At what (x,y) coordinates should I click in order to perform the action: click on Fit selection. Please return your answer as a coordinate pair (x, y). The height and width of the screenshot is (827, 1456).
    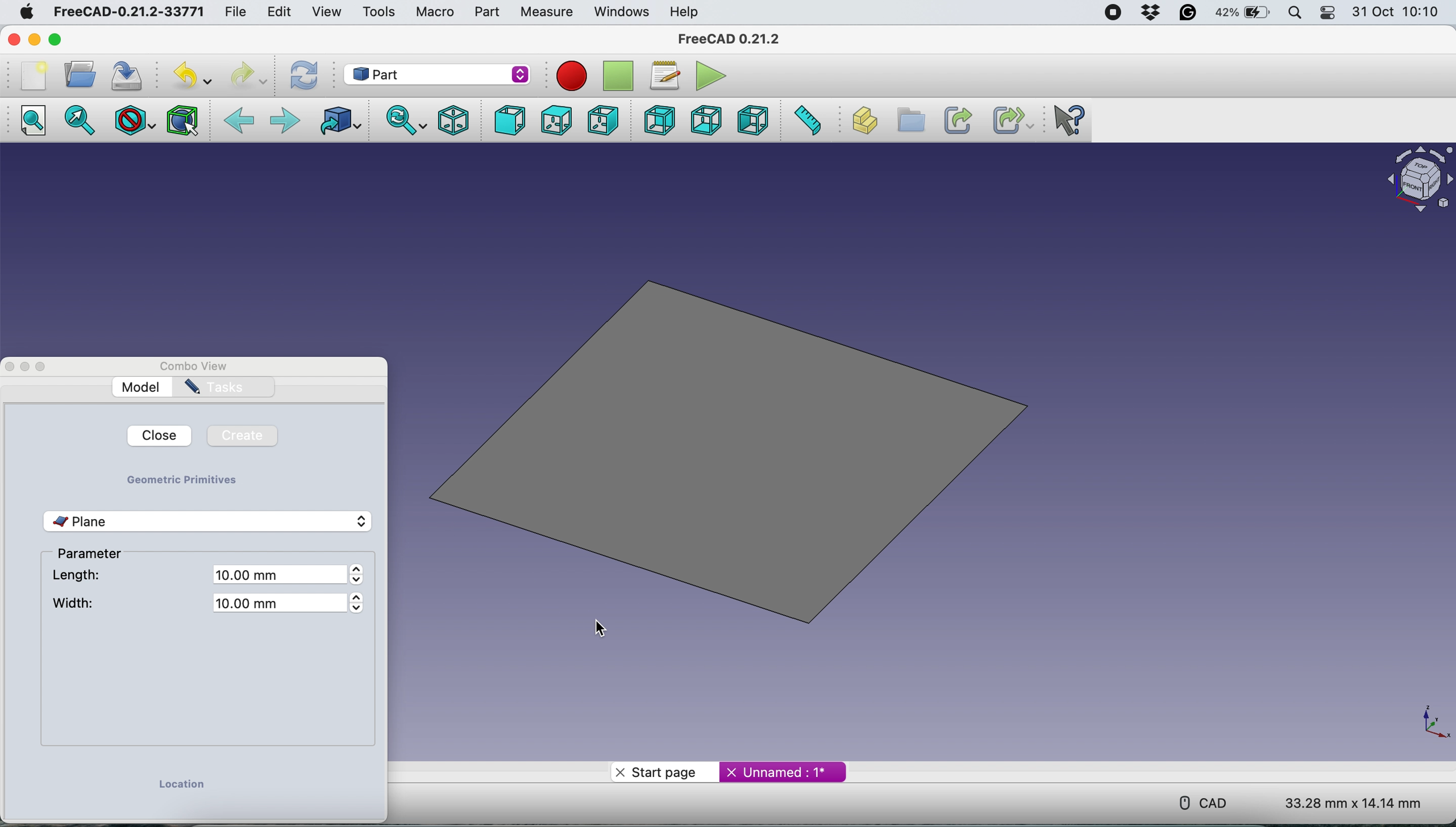
    Looking at the image, I should click on (76, 119).